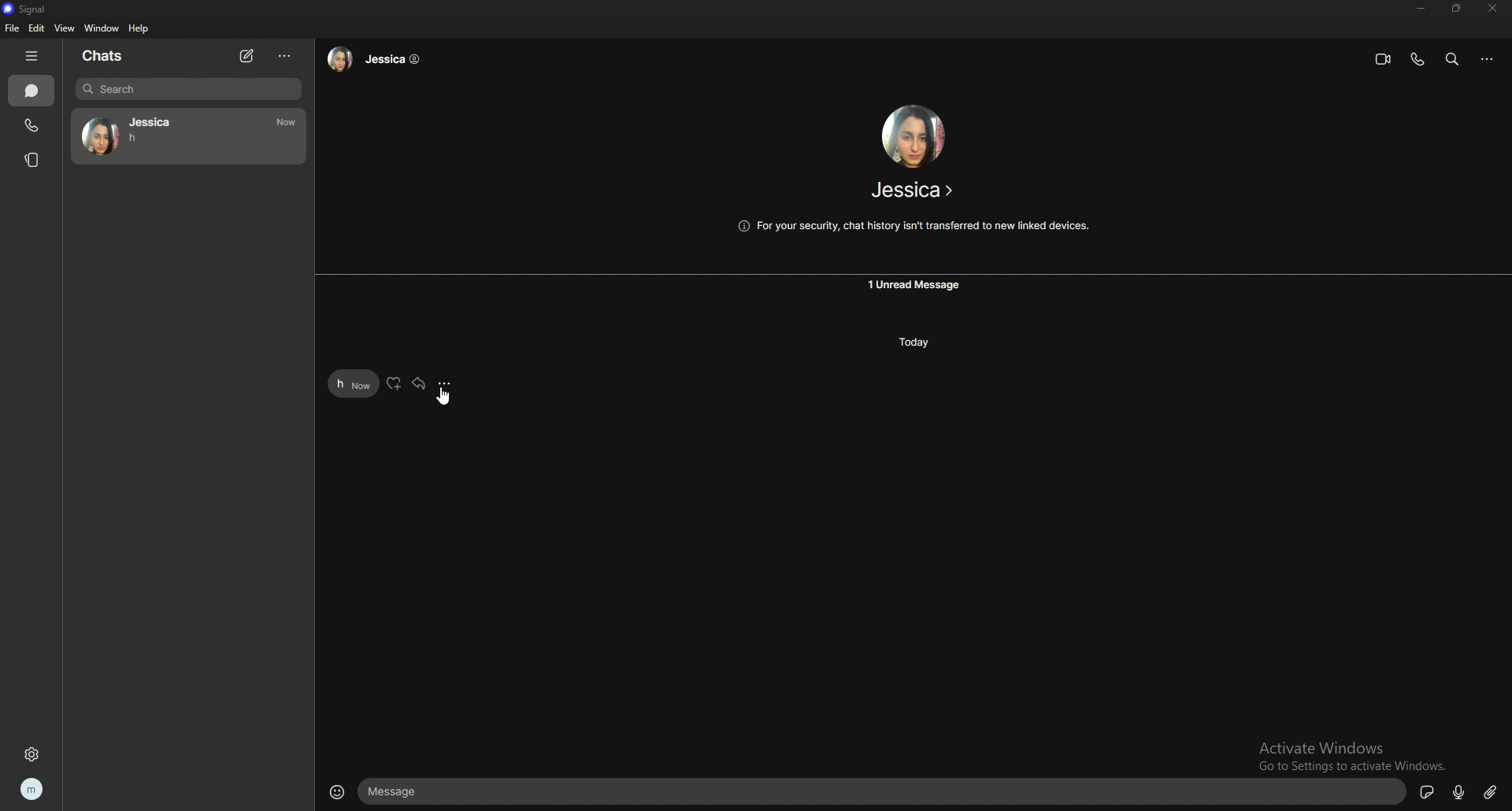 The height and width of the screenshot is (811, 1512). What do you see at coordinates (31, 91) in the screenshot?
I see `chats` at bounding box center [31, 91].